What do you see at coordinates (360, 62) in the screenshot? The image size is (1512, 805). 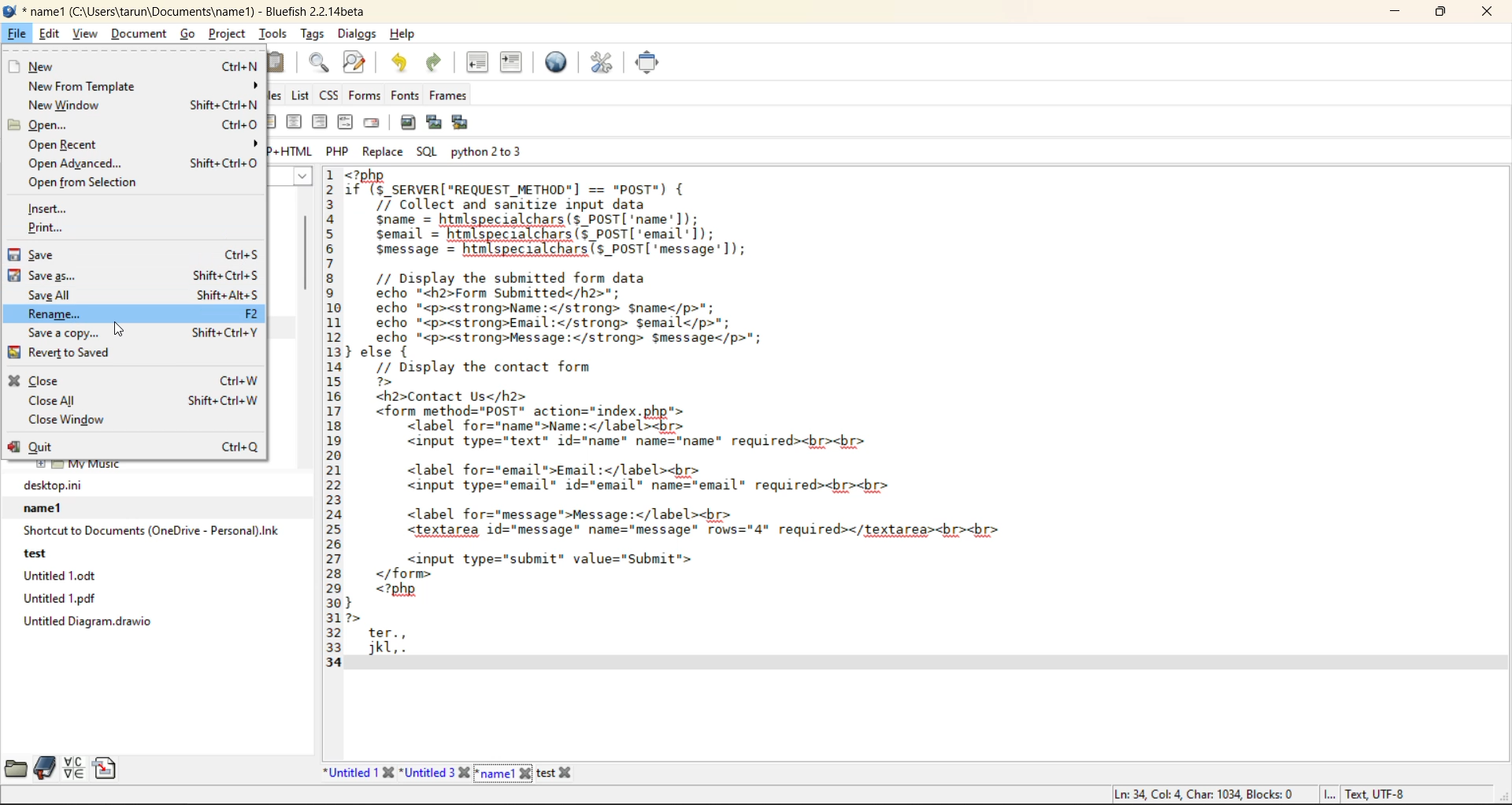 I see `find and replace` at bounding box center [360, 62].